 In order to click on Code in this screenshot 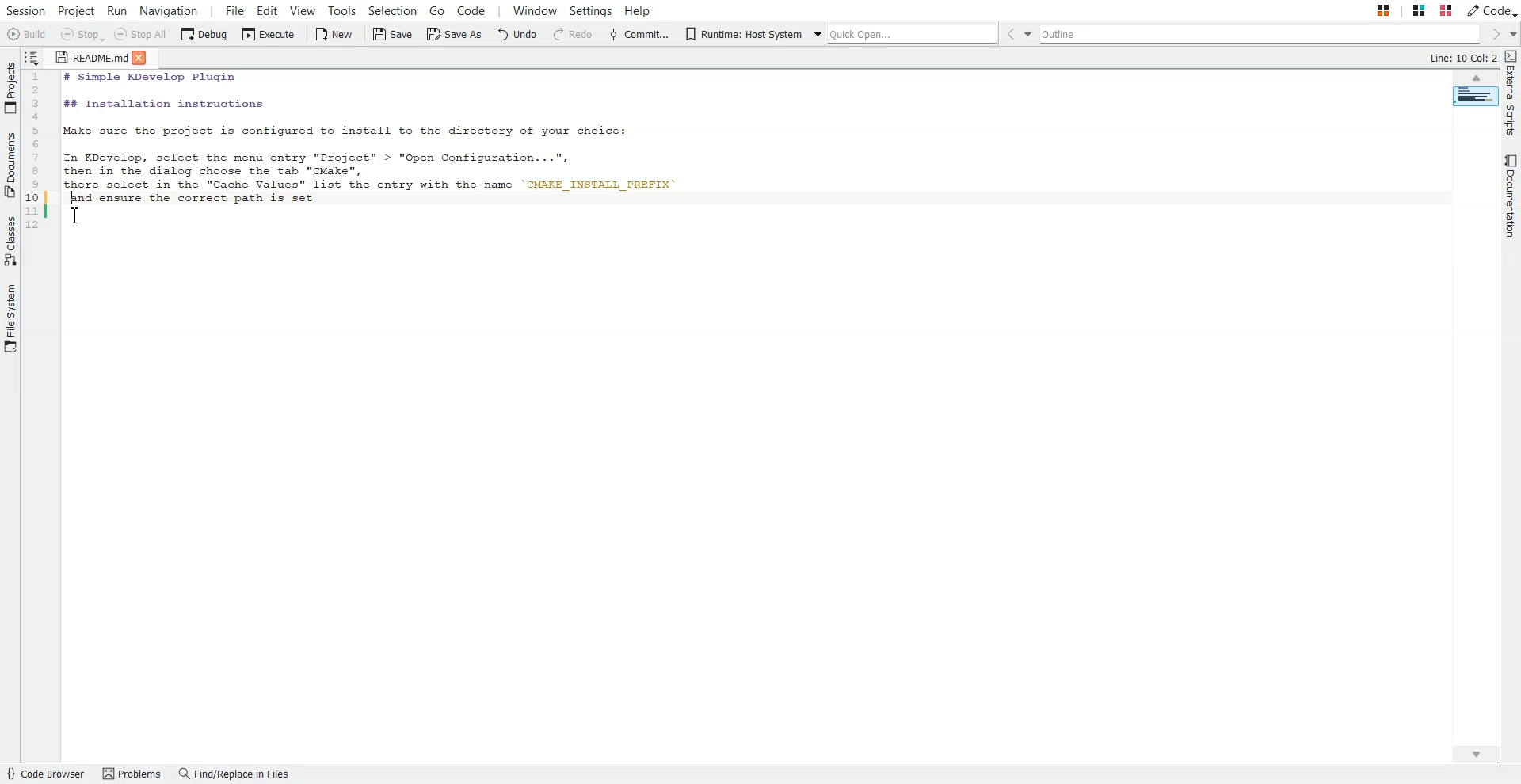, I will do `click(1492, 10)`.